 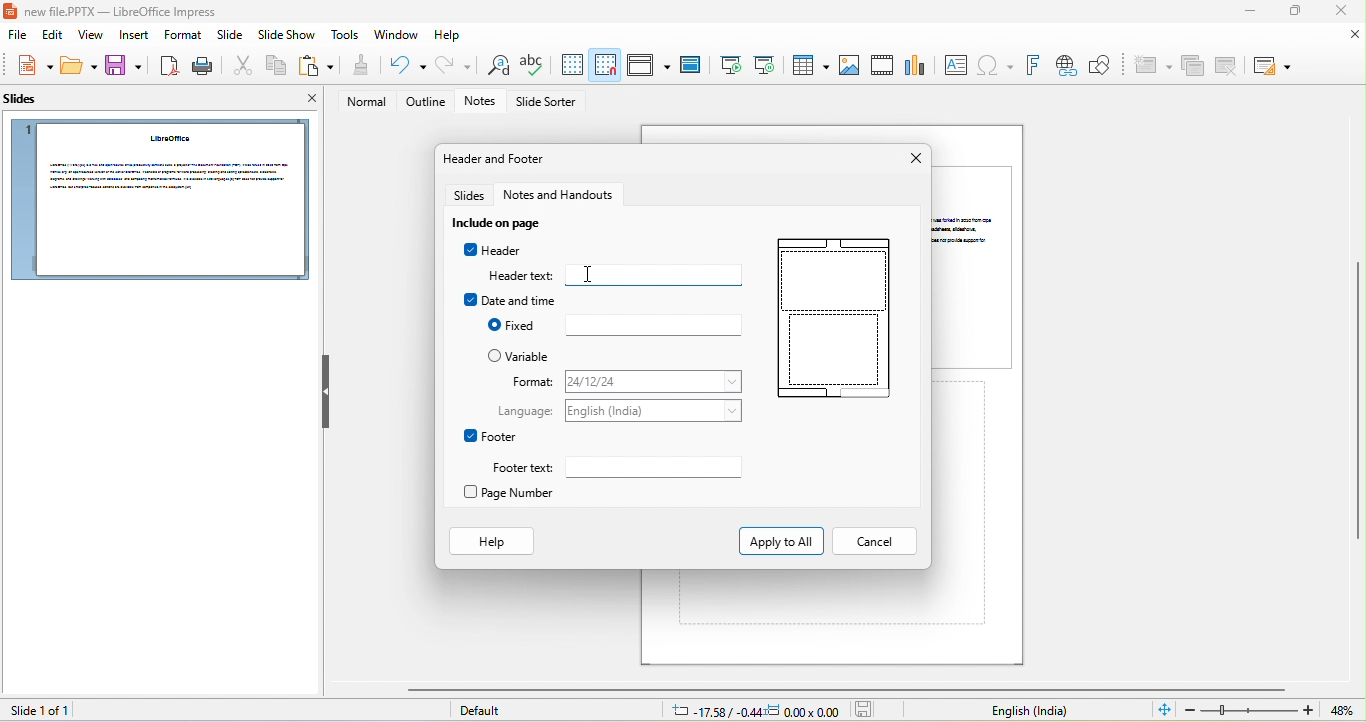 I want to click on close, so click(x=912, y=159).